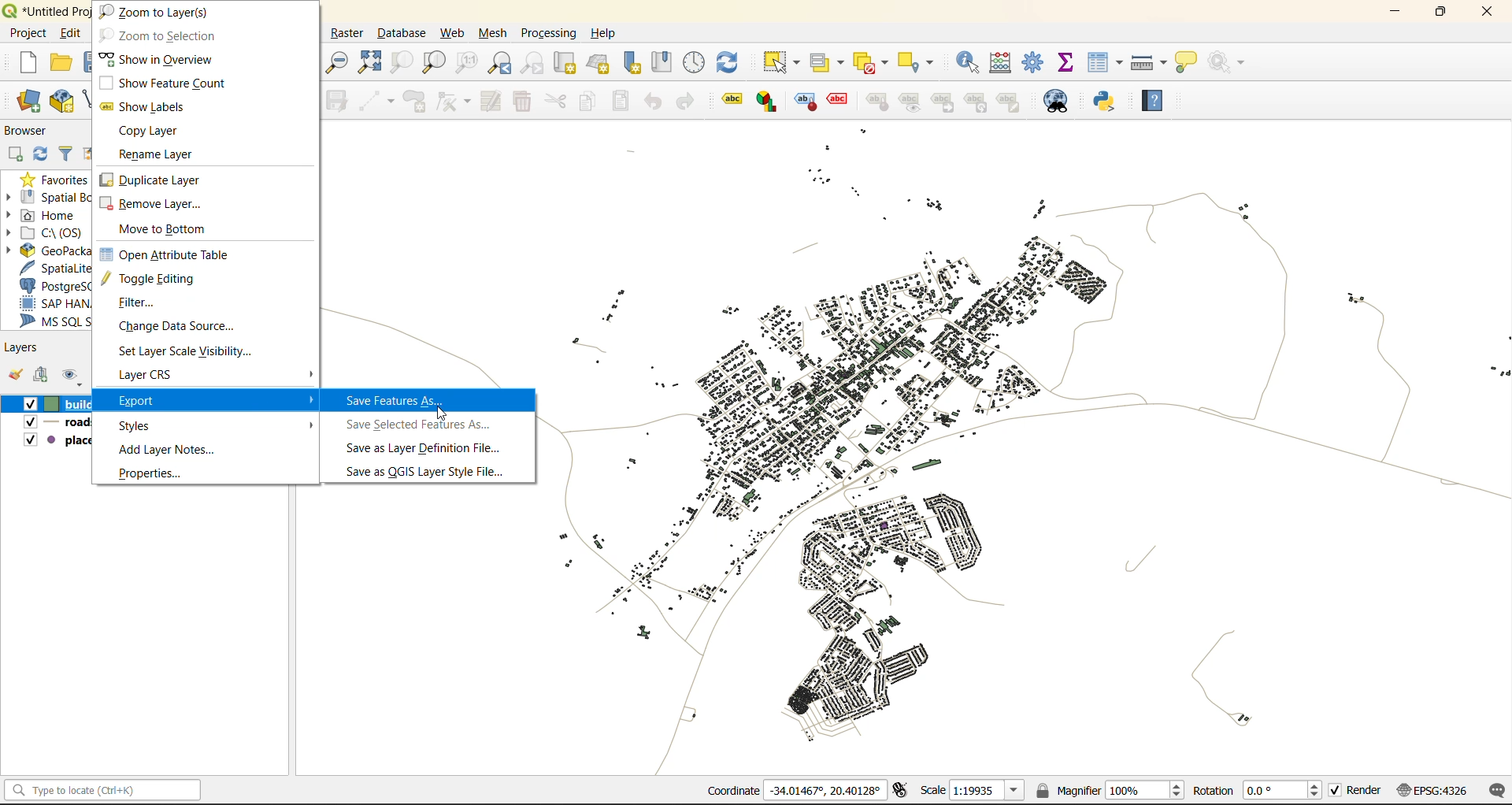  Describe the element at coordinates (1258, 791) in the screenshot. I see `rotation` at that location.